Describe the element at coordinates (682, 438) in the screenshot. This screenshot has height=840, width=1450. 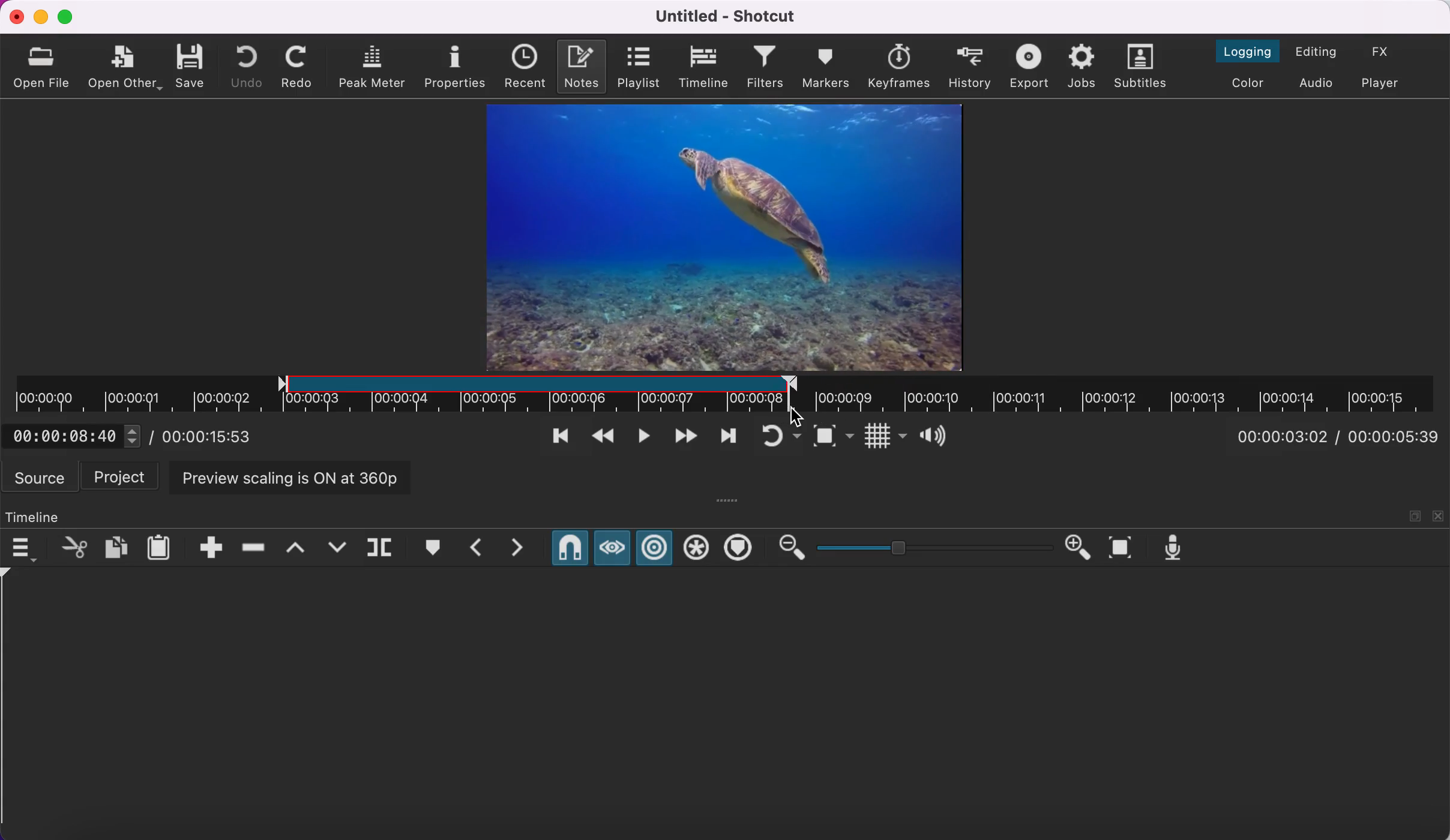
I see `play quickly forwards` at that location.